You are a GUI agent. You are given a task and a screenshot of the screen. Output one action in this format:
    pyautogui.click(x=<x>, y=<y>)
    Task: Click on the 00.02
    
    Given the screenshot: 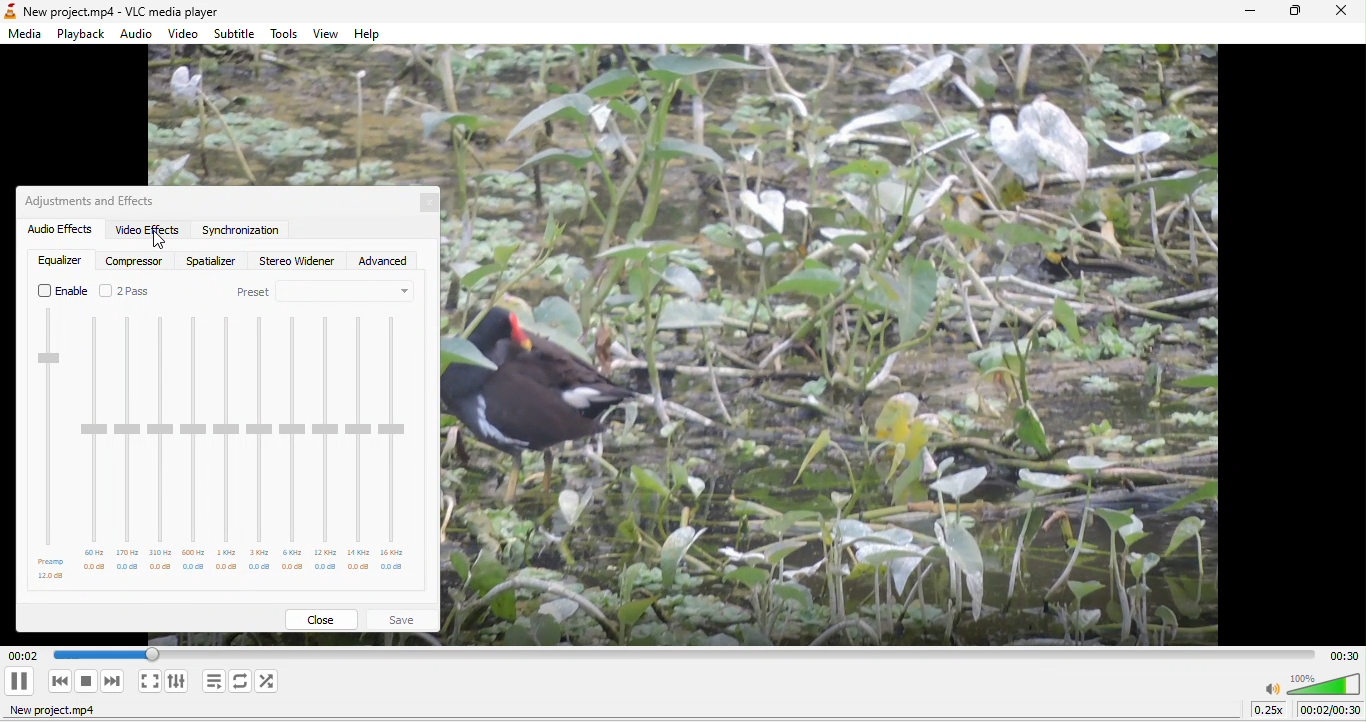 What is the action you would take?
    pyautogui.click(x=91, y=654)
    